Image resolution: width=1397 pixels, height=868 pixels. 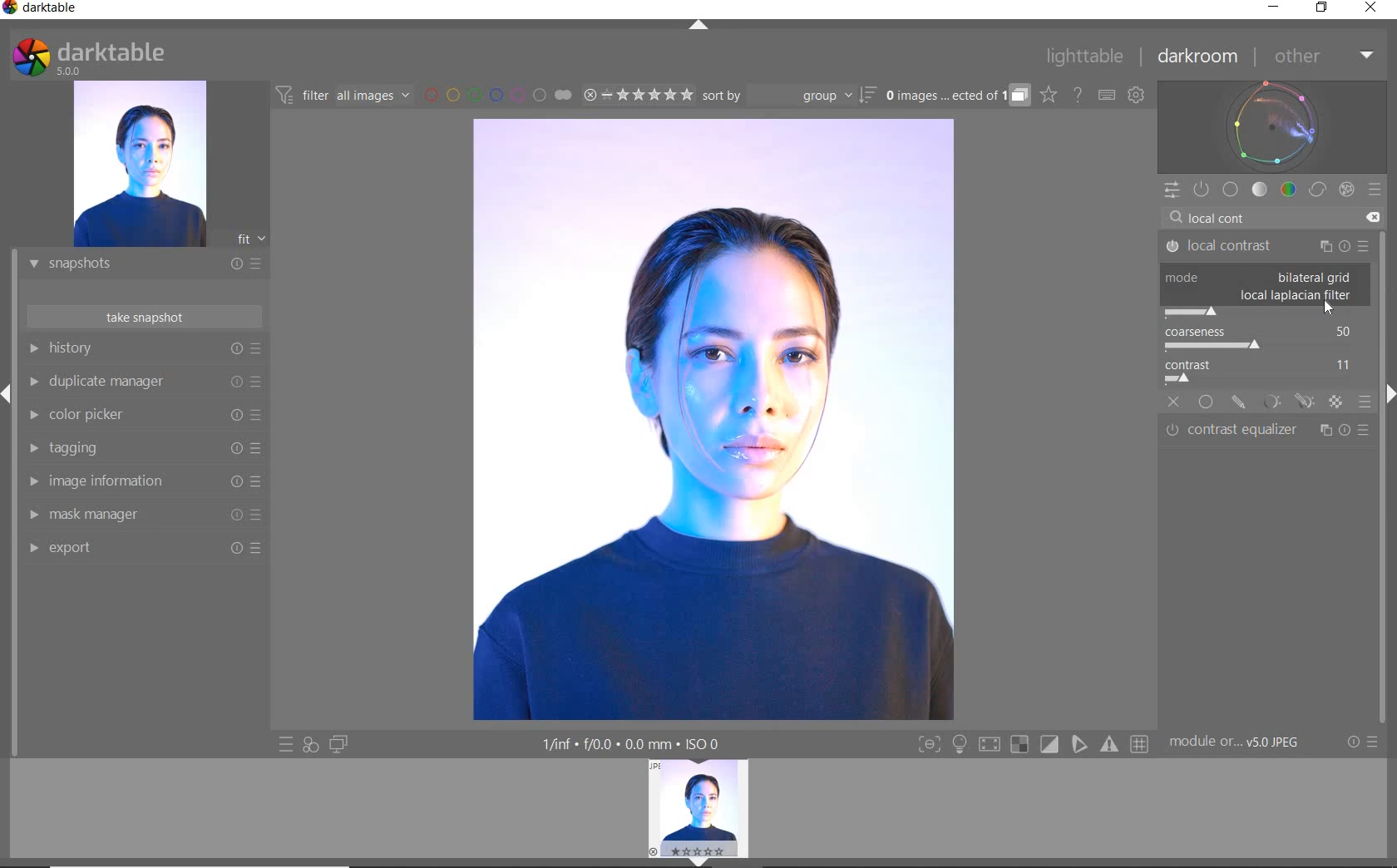 I want to click on Button, so click(x=1111, y=744).